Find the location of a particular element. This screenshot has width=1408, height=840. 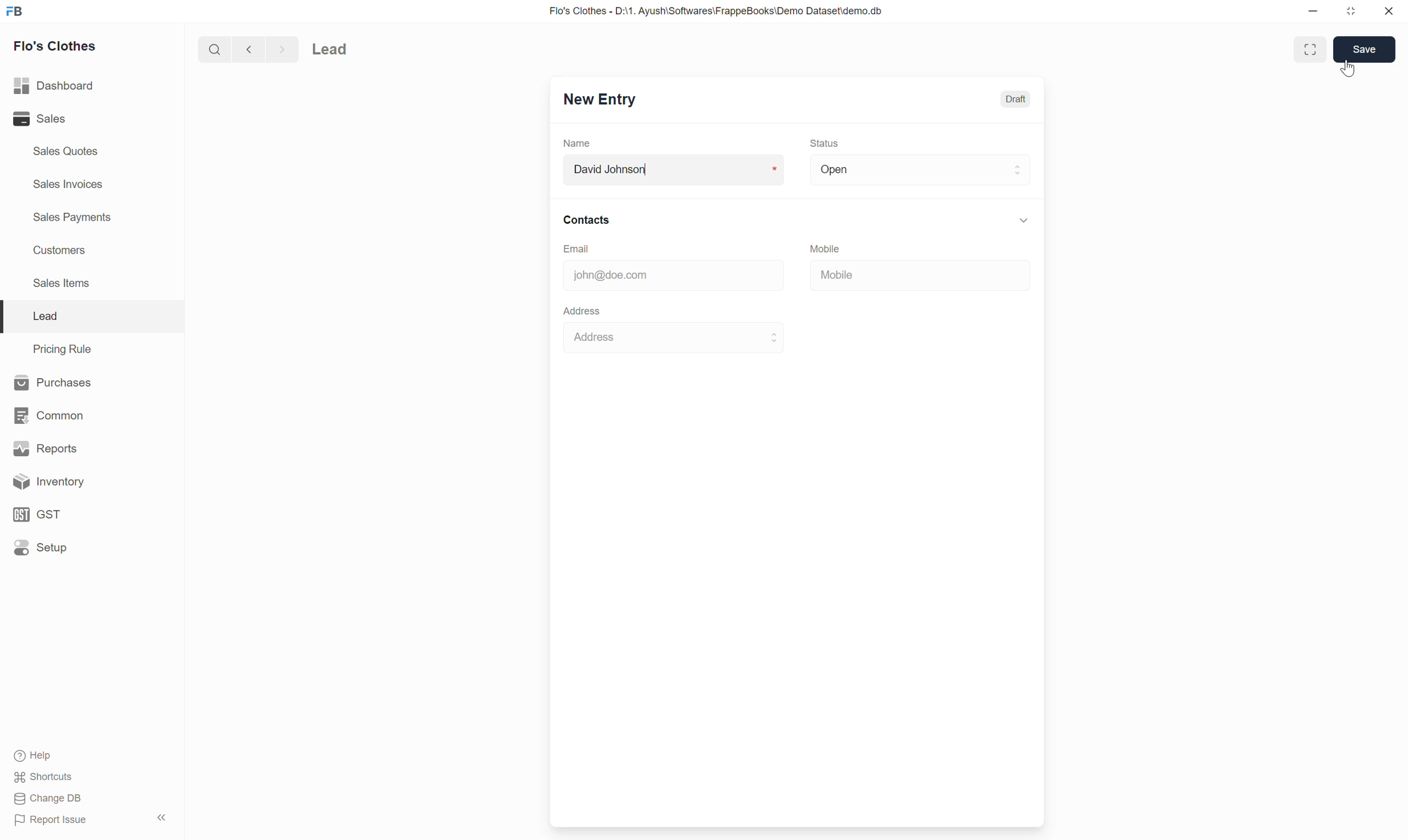

Status is located at coordinates (826, 143).